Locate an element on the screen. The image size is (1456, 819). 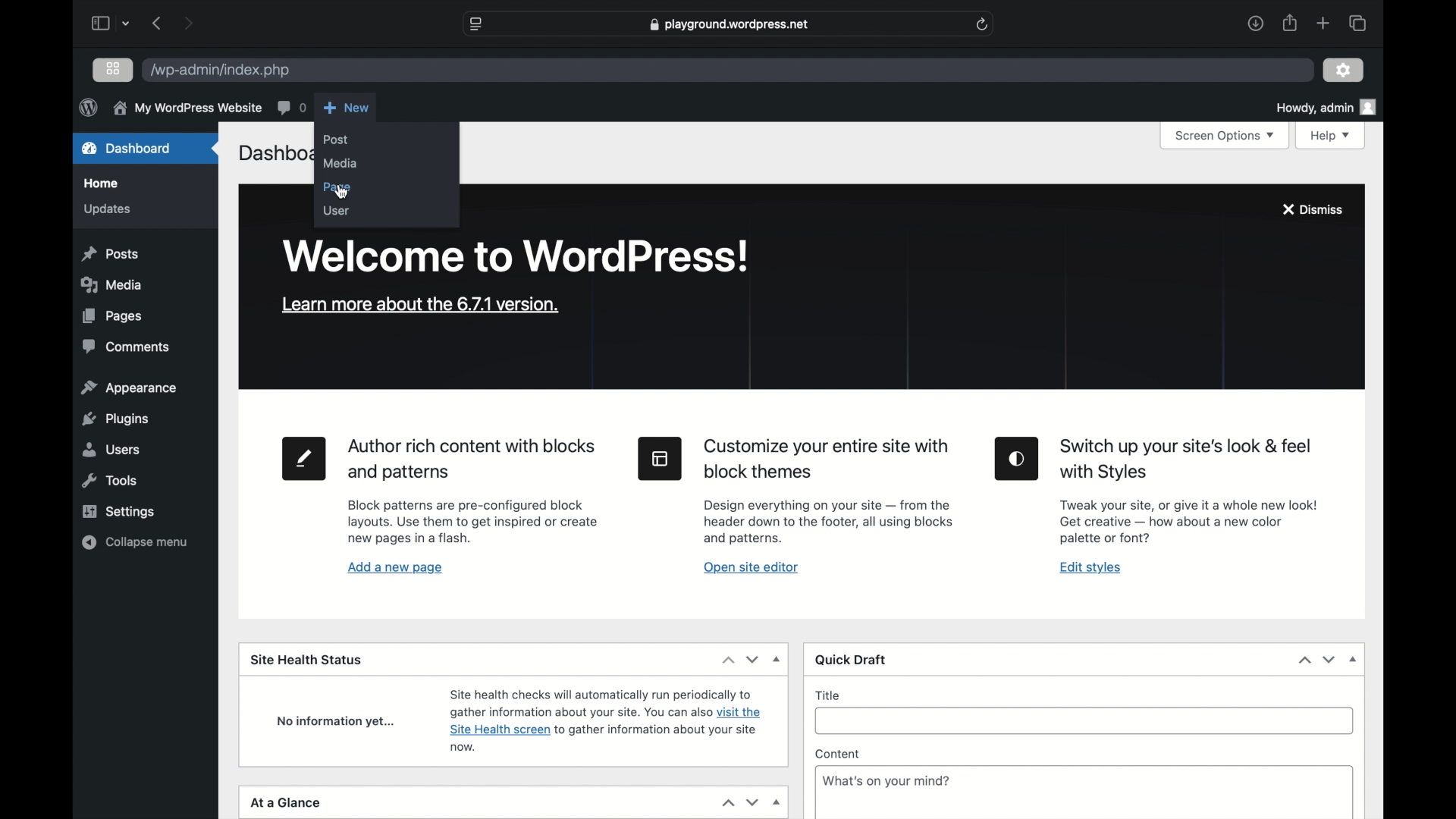
users is located at coordinates (109, 449).